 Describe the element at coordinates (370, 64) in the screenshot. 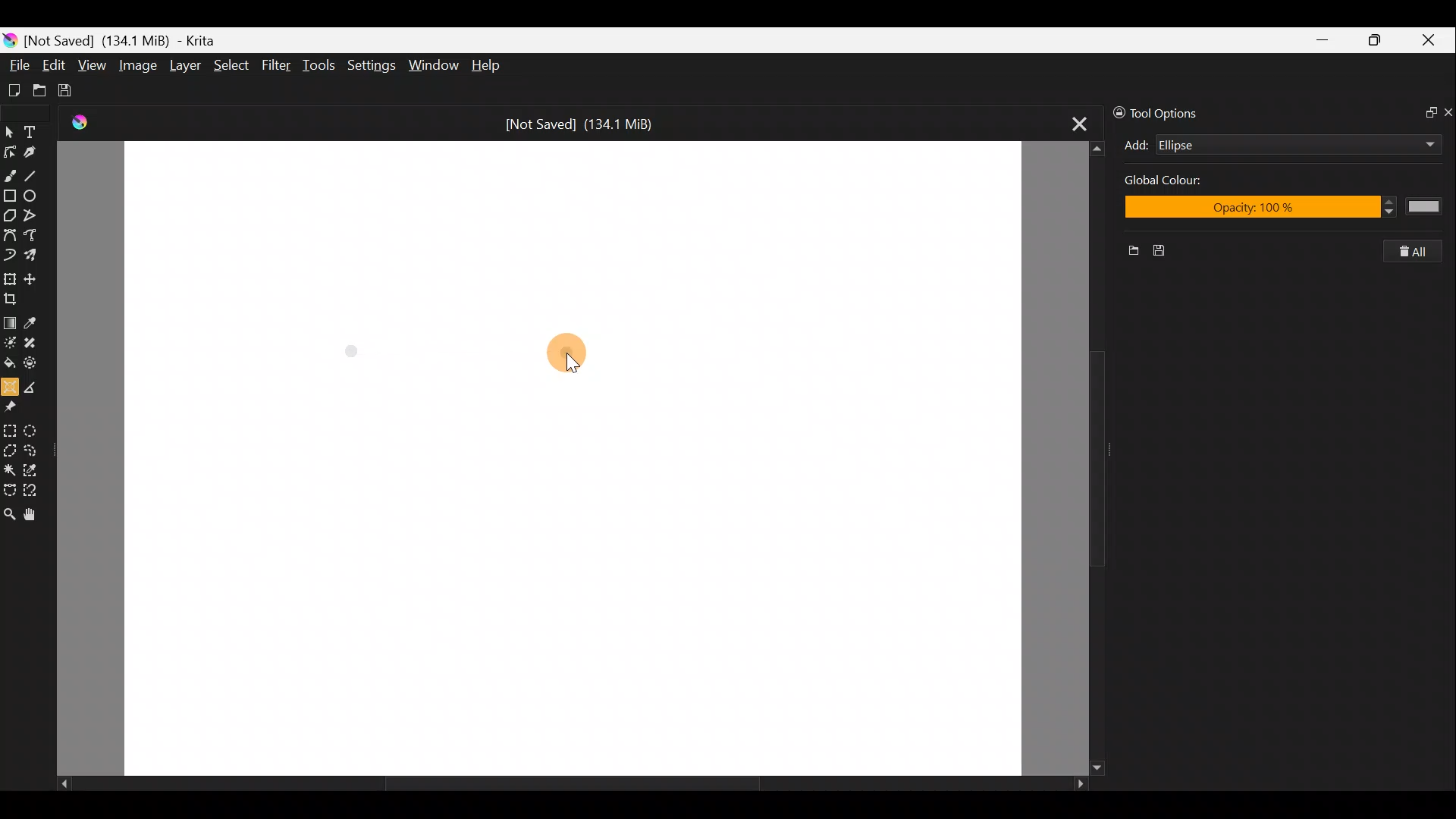

I see `Settings` at that location.